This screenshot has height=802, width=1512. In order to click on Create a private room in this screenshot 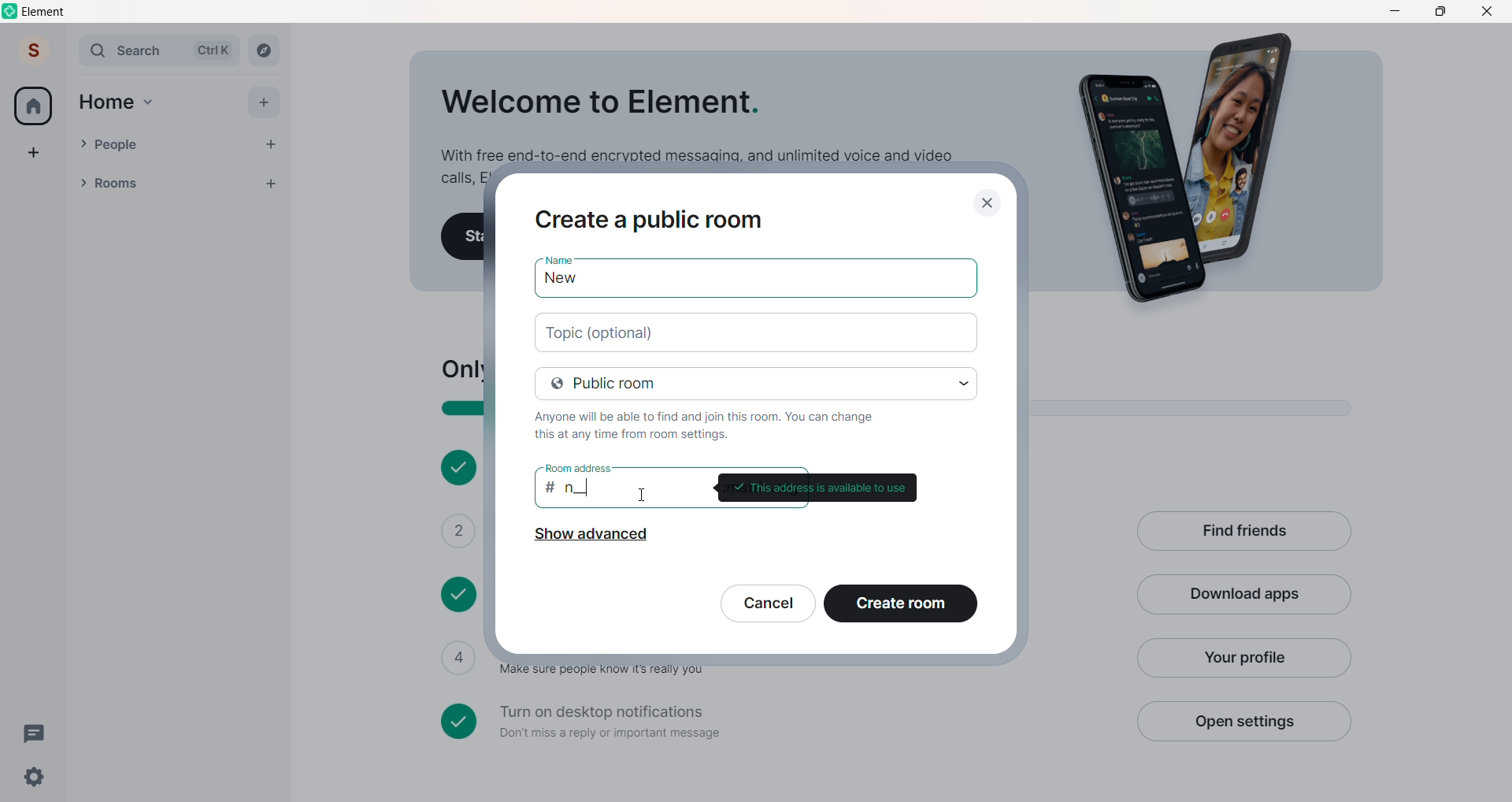, I will do `click(655, 217)`.